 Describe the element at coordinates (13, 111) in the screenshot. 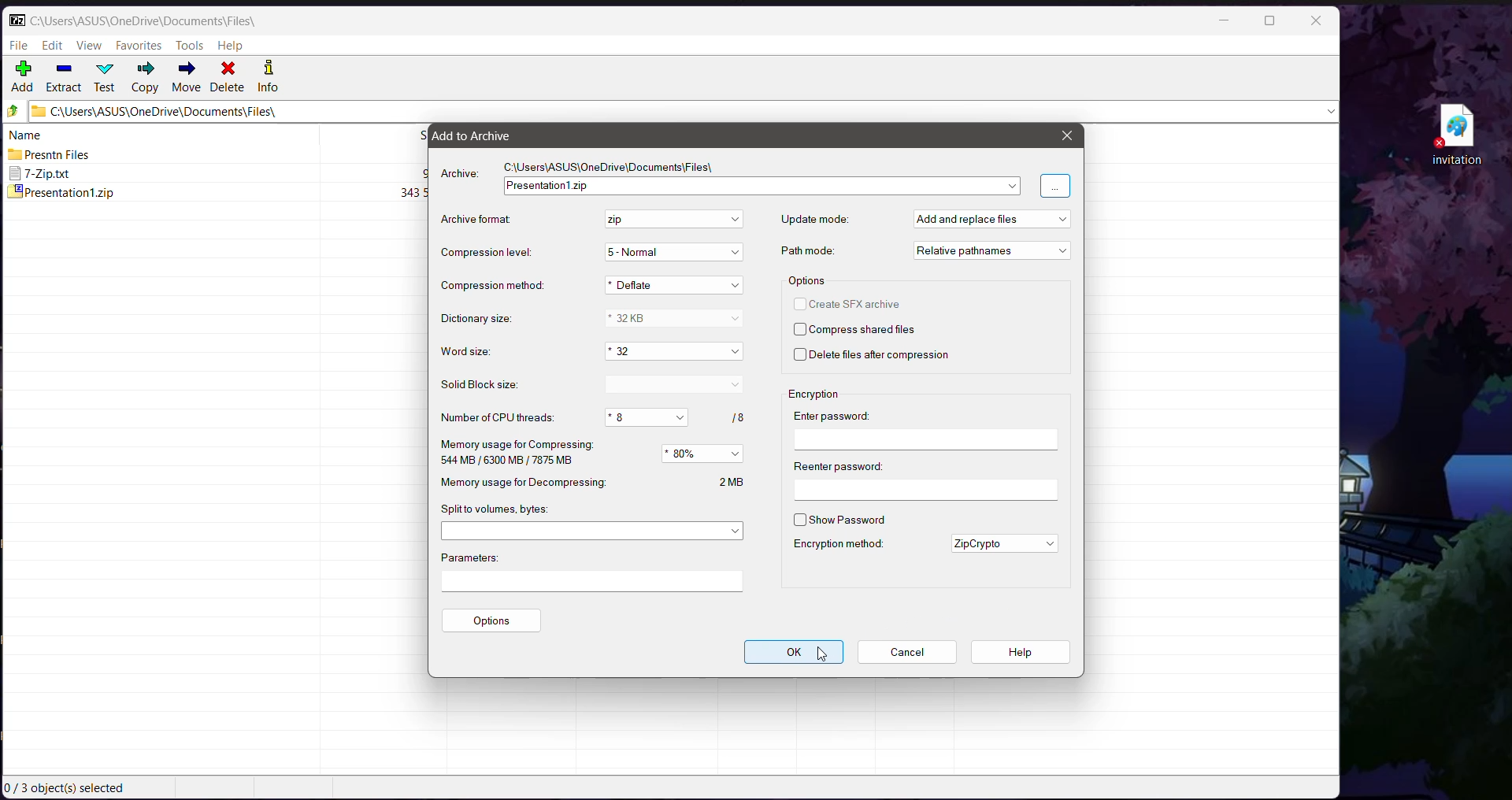

I see `Move Up one level` at that location.